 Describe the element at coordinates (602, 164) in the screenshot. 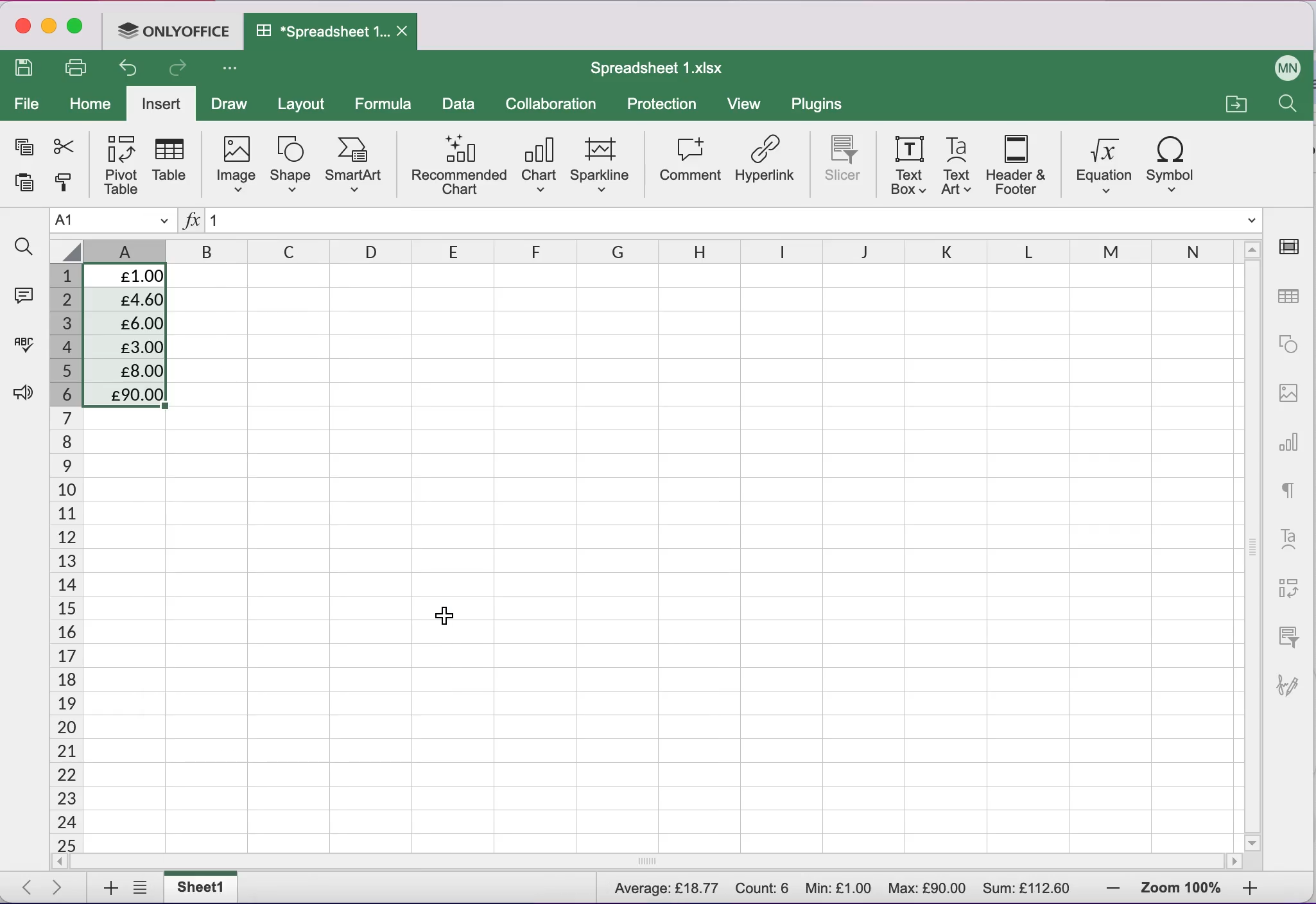

I see `sparkline` at that location.